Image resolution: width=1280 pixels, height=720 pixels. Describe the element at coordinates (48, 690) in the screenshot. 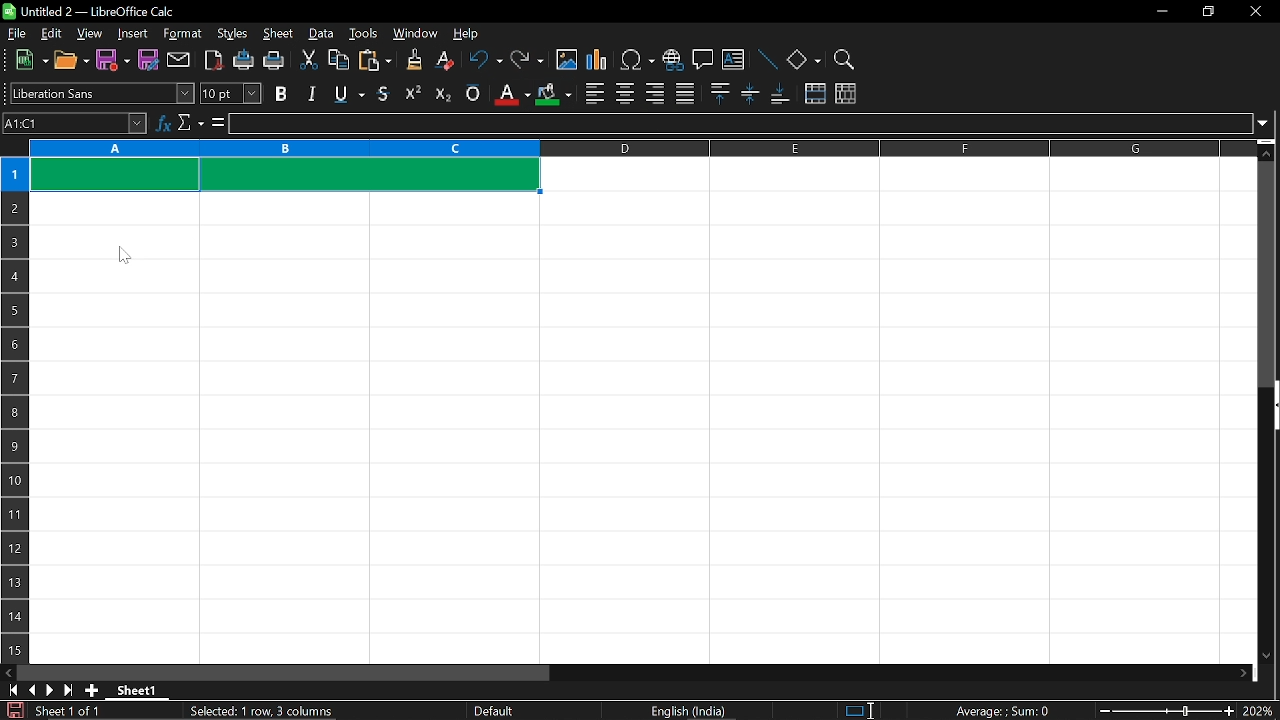

I see `next sheet` at that location.